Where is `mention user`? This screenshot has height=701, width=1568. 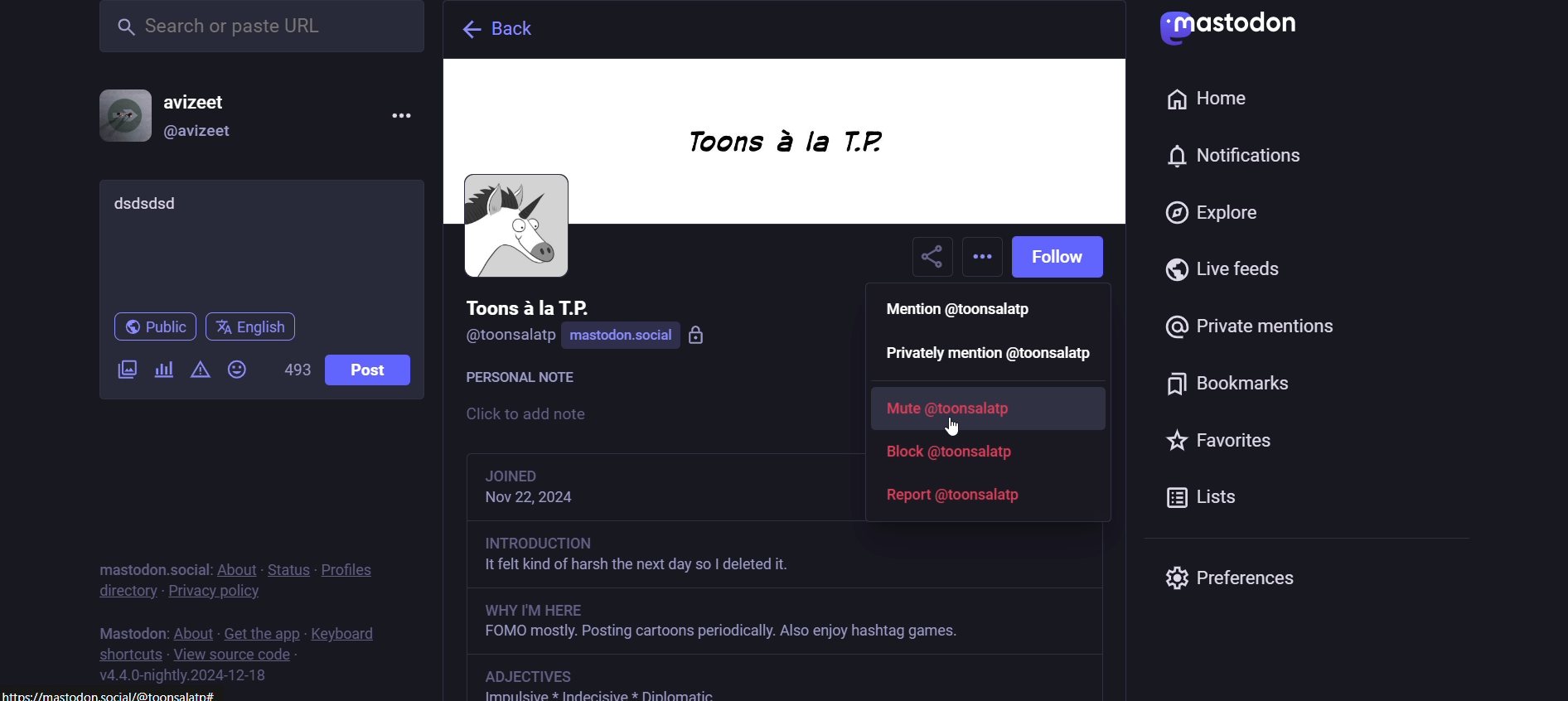
mention user is located at coordinates (968, 311).